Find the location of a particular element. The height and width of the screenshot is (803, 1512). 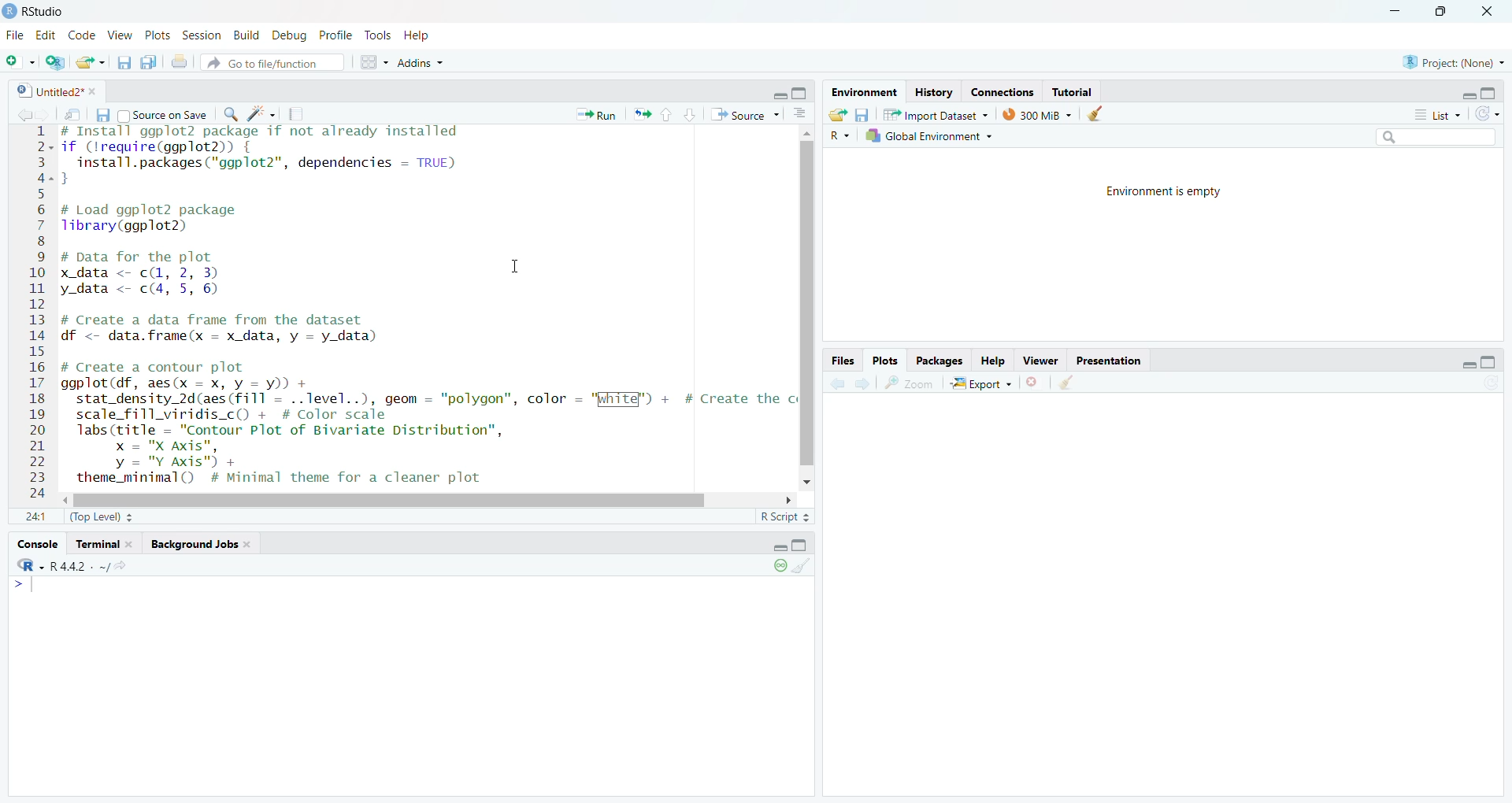

workspace pane is located at coordinates (372, 60).